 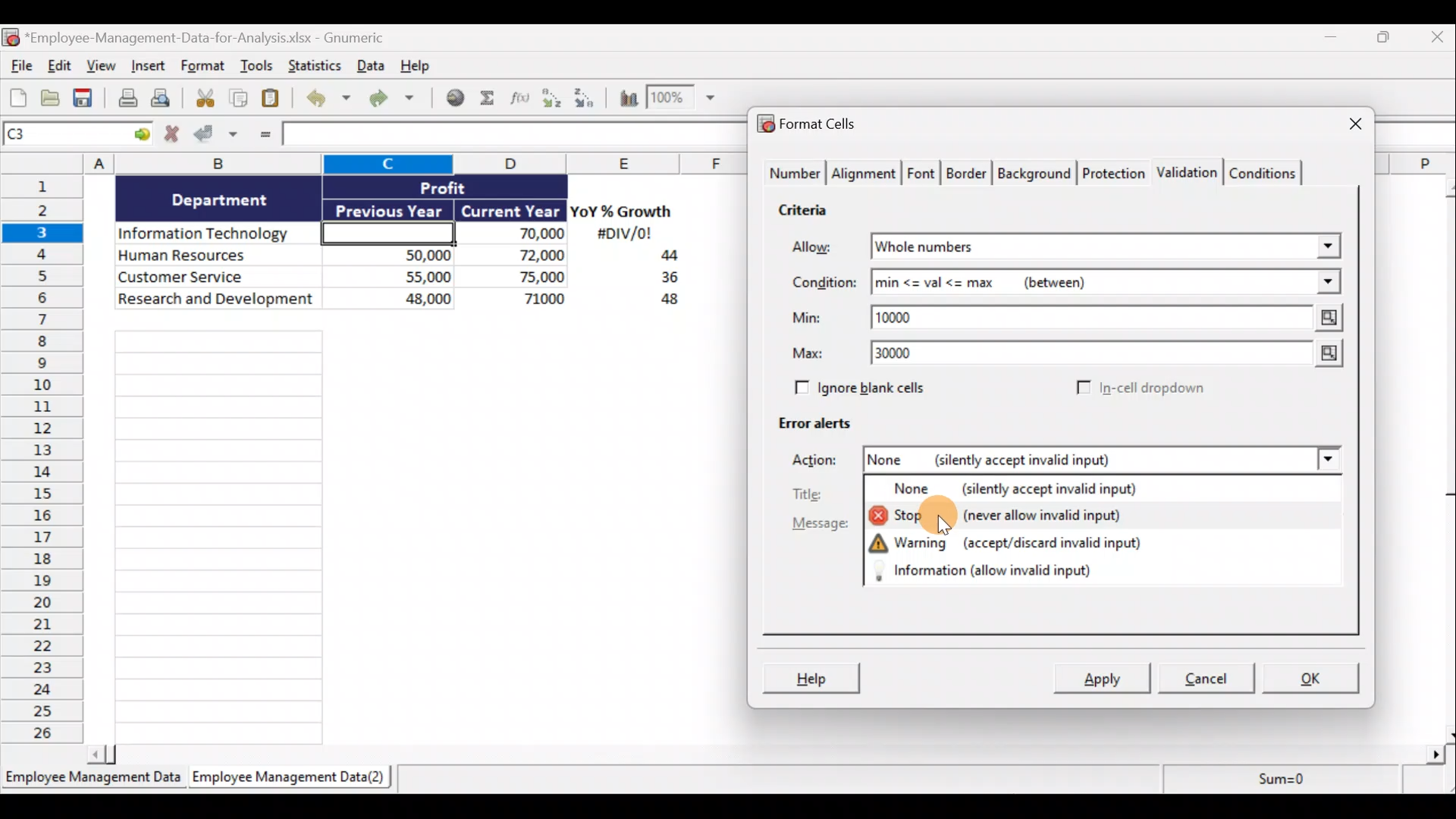 I want to click on Conditions, so click(x=1268, y=172).